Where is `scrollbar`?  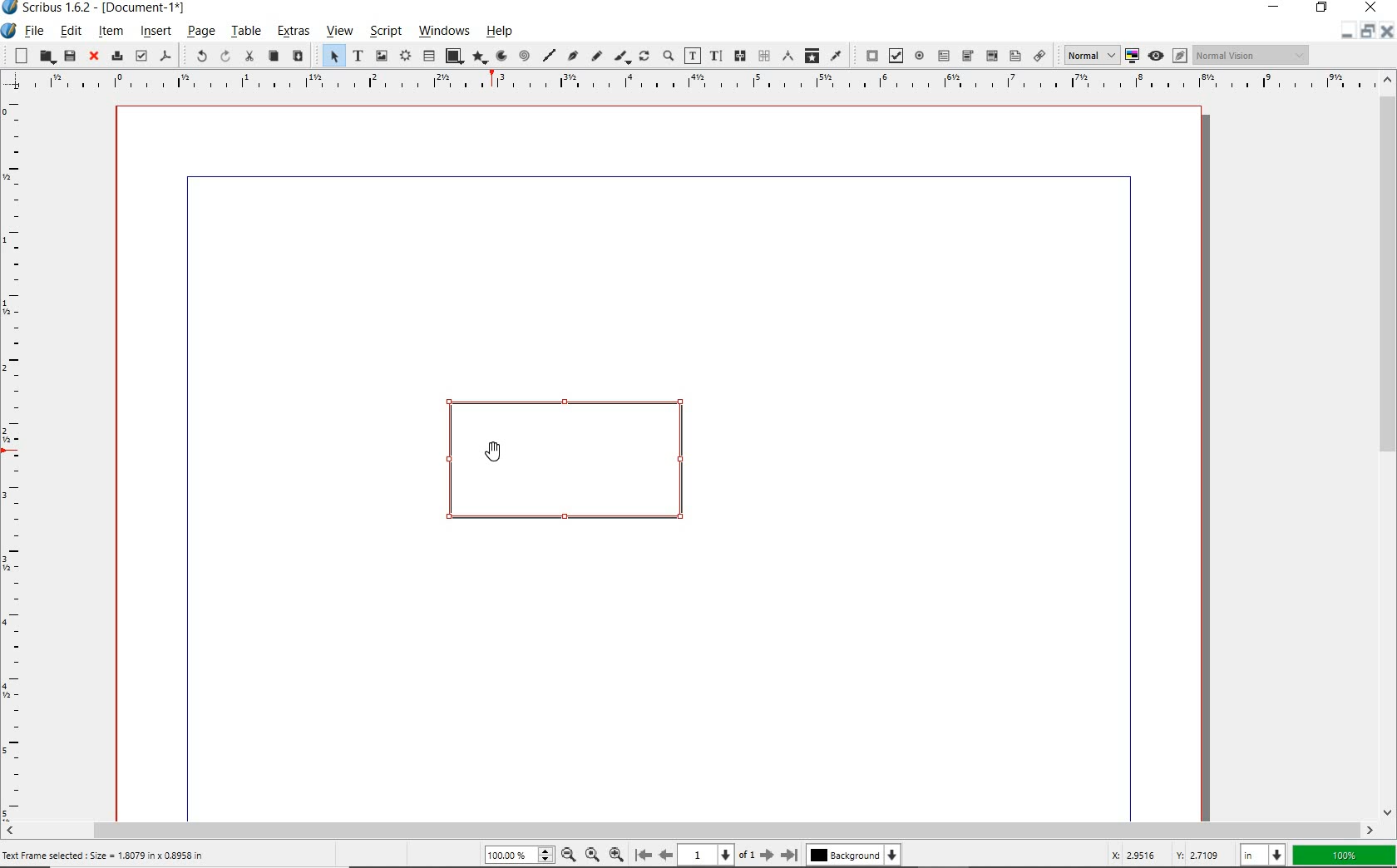 scrollbar is located at coordinates (690, 830).